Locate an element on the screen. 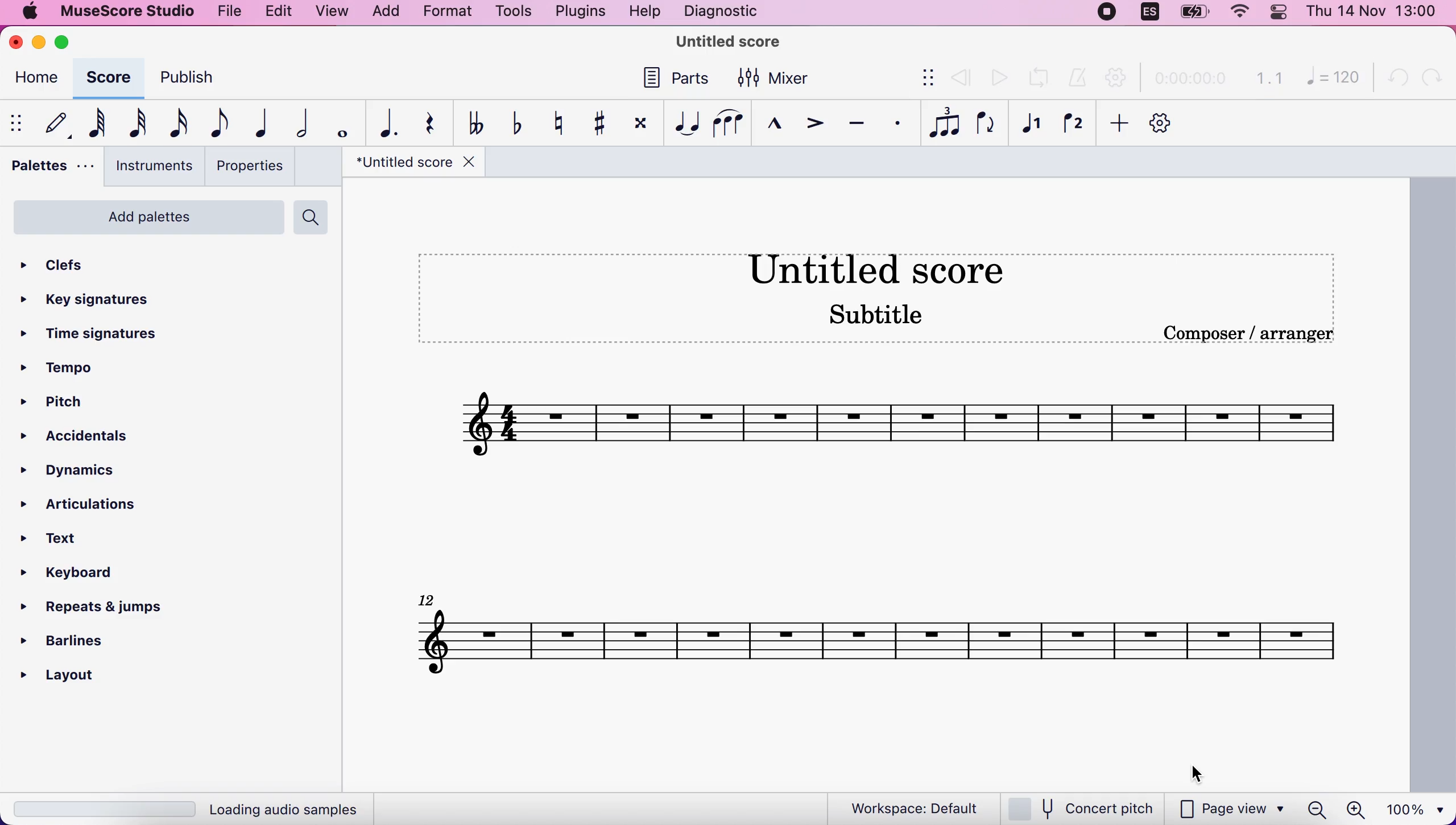 The width and height of the screenshot is (1456, 825). layout is located at coordinates (73, 674).